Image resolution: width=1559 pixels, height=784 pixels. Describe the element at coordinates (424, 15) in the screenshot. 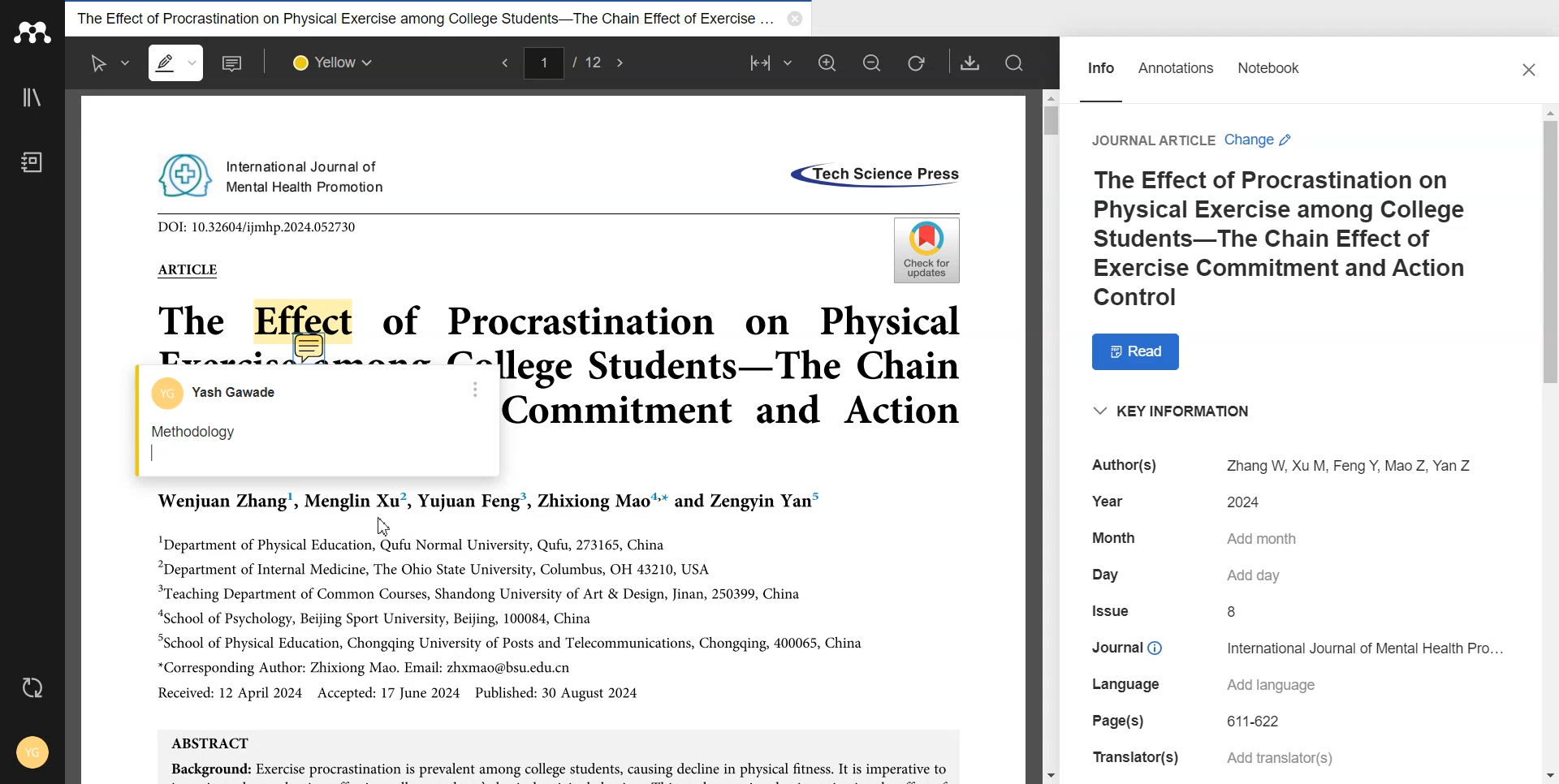

I see ` The Effect of Procrastination on Physical Exercise among College Students-The Chain Effect of Exercise...` at that location.